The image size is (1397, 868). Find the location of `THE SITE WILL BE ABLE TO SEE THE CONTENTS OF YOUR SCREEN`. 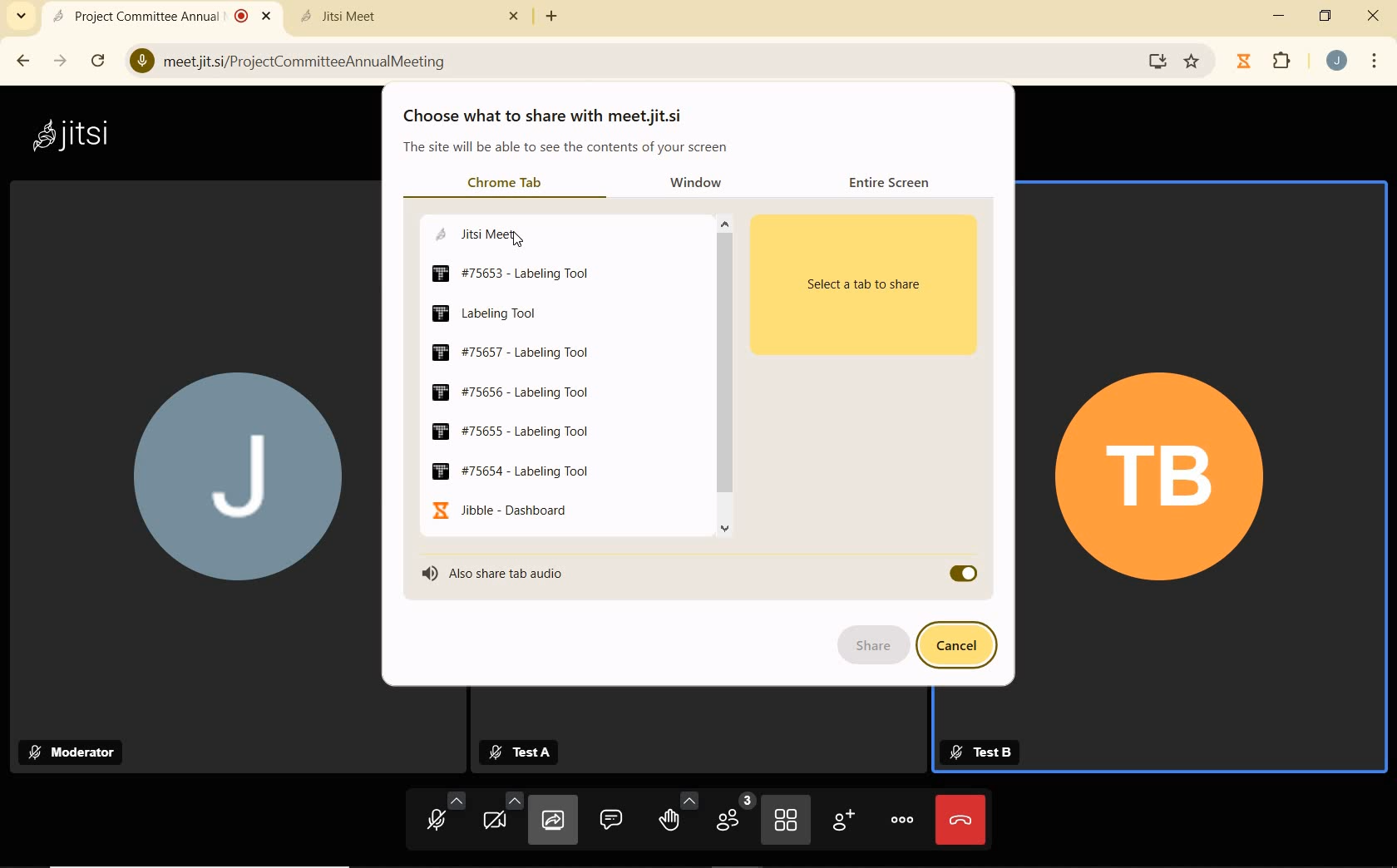

THE SITE WILL BE ABLE TO SEE THE CONTENTS OF YOUR SCREEN is located at coordinates (567, 150).